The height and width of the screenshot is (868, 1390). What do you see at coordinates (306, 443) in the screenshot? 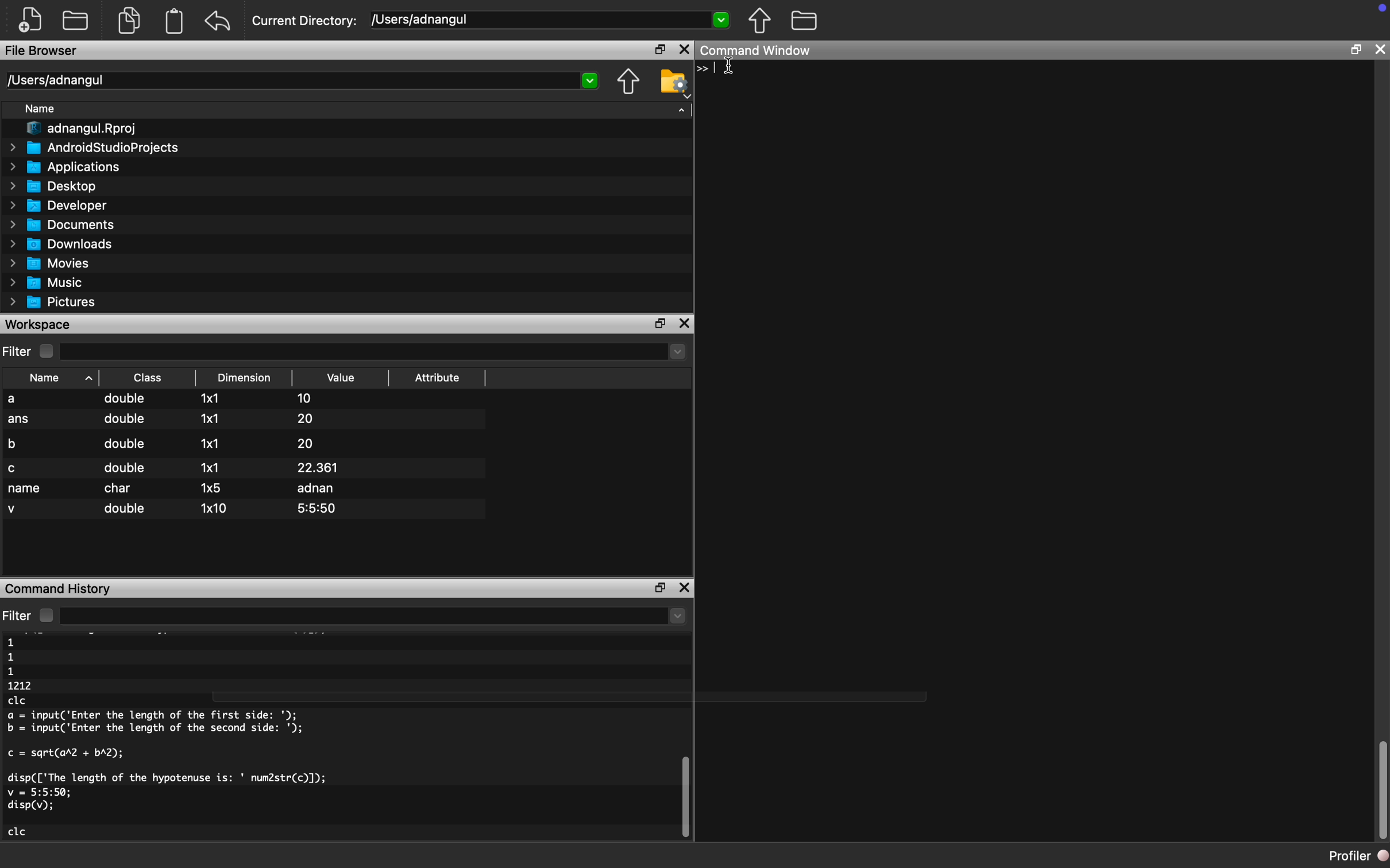
I see `20` at bounding box center [306, 443].